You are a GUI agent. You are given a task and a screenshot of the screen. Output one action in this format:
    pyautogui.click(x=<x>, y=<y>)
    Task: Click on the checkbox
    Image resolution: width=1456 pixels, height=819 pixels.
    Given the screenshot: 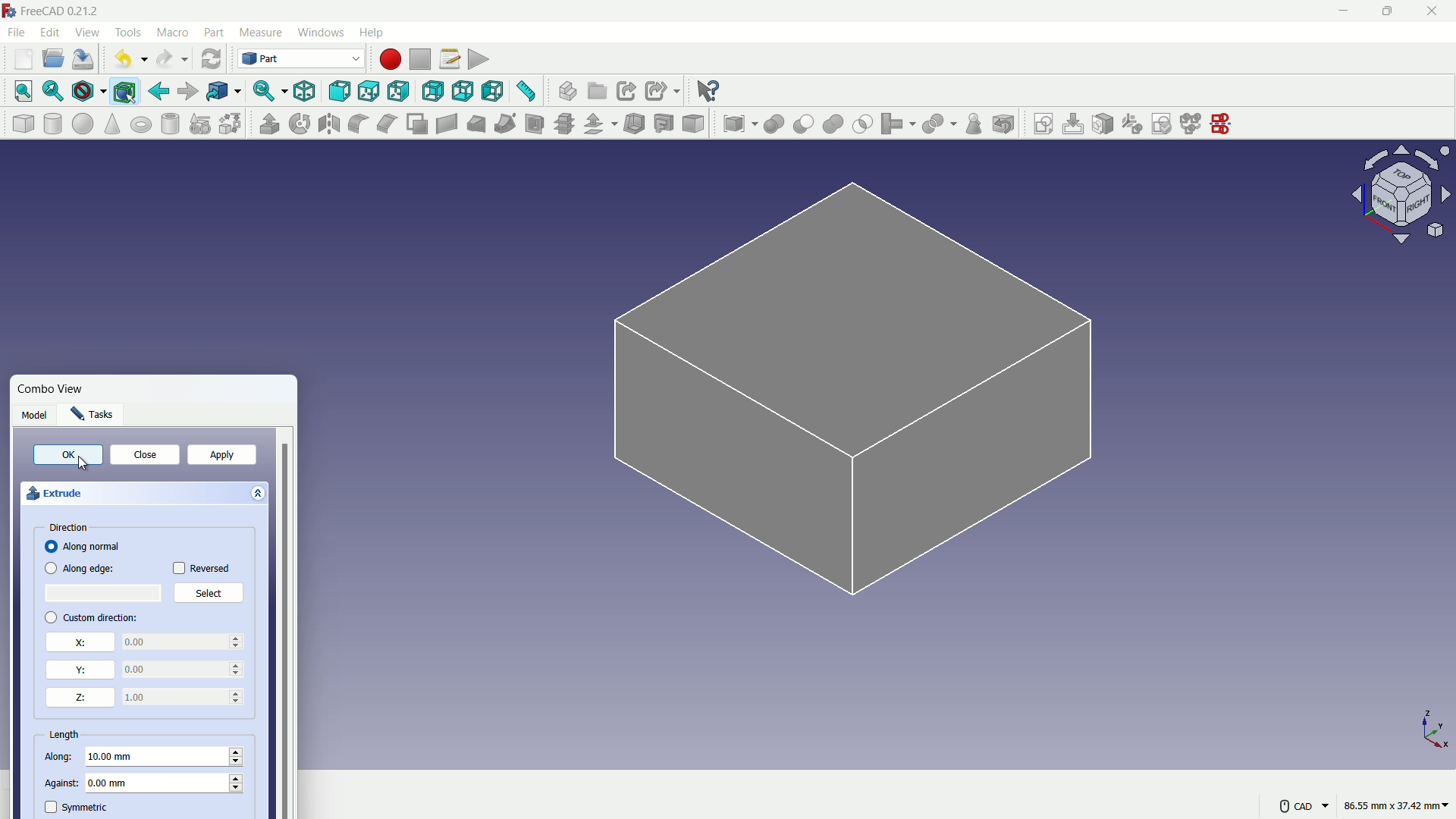 What is the action you would take?
    pyautogui.click(x=49, y=568)
    